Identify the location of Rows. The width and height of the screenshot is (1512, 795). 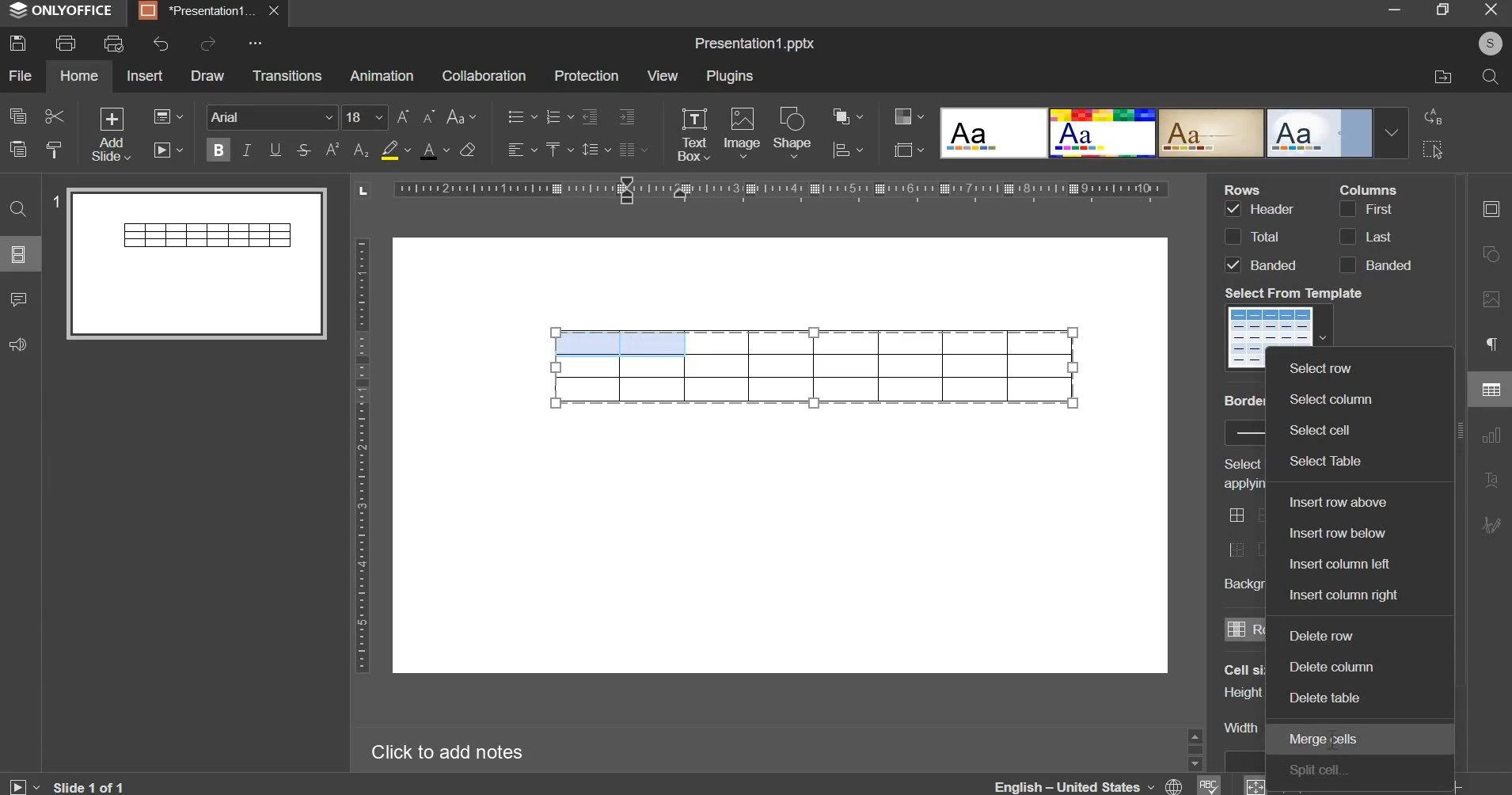
(1246, 188).